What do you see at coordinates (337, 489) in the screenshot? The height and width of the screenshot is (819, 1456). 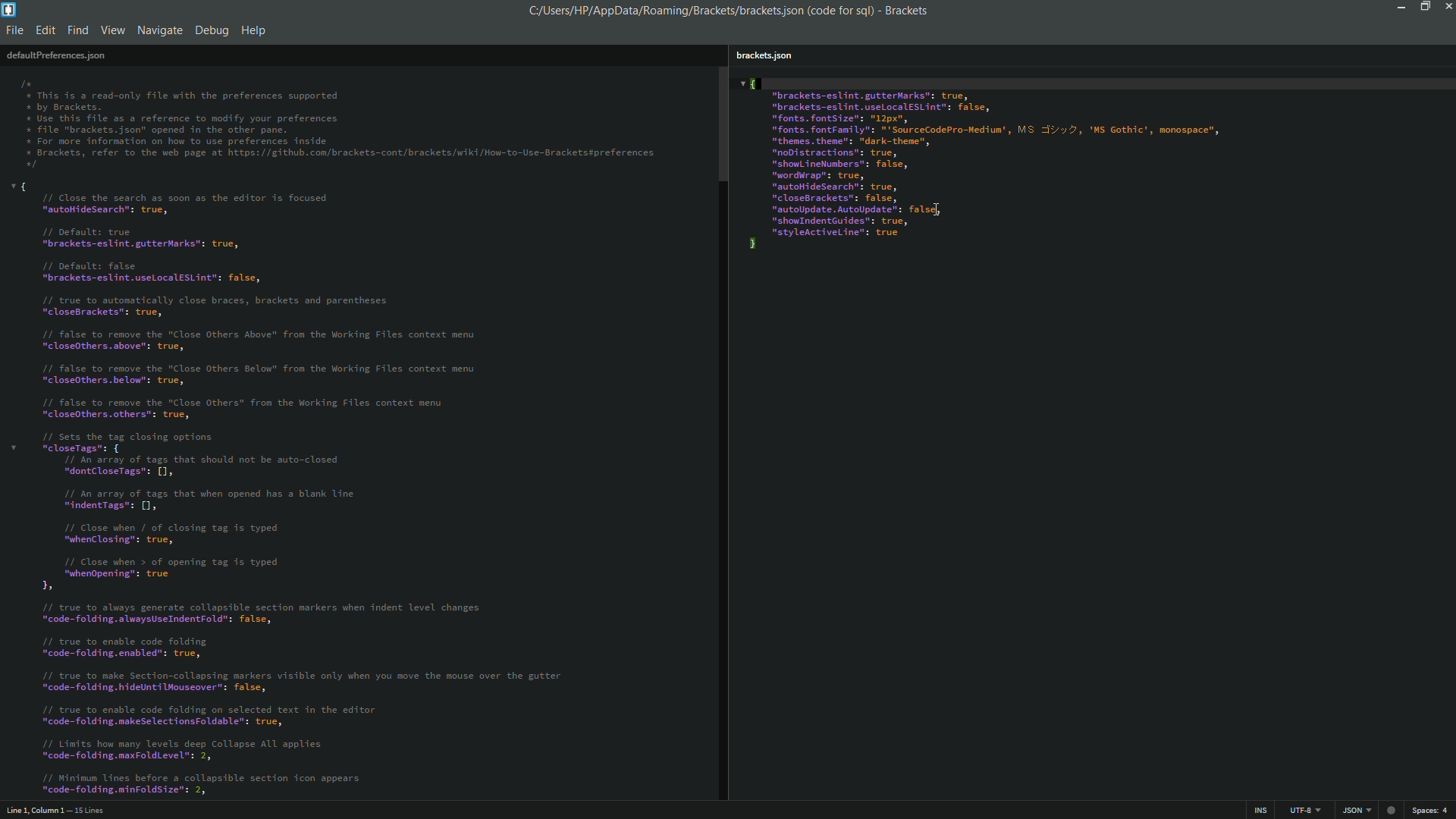 I see `v{
// Close the search as soon as the editor is focused
“autoHidesearch": true,
// Default: true
“brackets-eslint.gutterMarks": true,
// Default: false
"brackets-eslint.useLocalesLint": false,
// true to automatically close braces, brackets and parentheses
"closeBrackets": true,
// false to remove the "Close Others Above" from the Working Files context menu
"closeothers.above": true,
// false to remove the "Close Others Below" from the Working Files context menu
"closeothers.below": true,
// false to remove the "Close Others" from the Working Files context menu
"closeOthers. others": true,
/1 sets the tag closing options
* “closeTags": {
// An array of tags that should not be auto-closed
"dontCloseTags": [1,
// An array of tags that when opened has a blank line
"indentTags": [1,
// Close when / of closing tag is typed
"whenClosing": true,
// Close when > of opening tag is typed
"whenOpening": true
by
// true to always generate collapsible section markers when indent level changes
"code-folding.alwaysUseIndentFold": false,
// true to enable code folding
"code-folding.enabled": true,
// true to make Section-collapsing markers visible only when you move the mouse over the gutter
"code-folding.hideuntilMouseover®: false,
// true to enable code folding on selected text in the editor
"code-folding.makeselectionsFoldable": true,
// Limits how many levels deep Collapse ALL applies
"code-folding.maxFoldLevel™: 2,
// Minimum Lines before a collapsible section icon appears
“code-folding.minFoldsize": 2,` at bounding box center [337, 489].